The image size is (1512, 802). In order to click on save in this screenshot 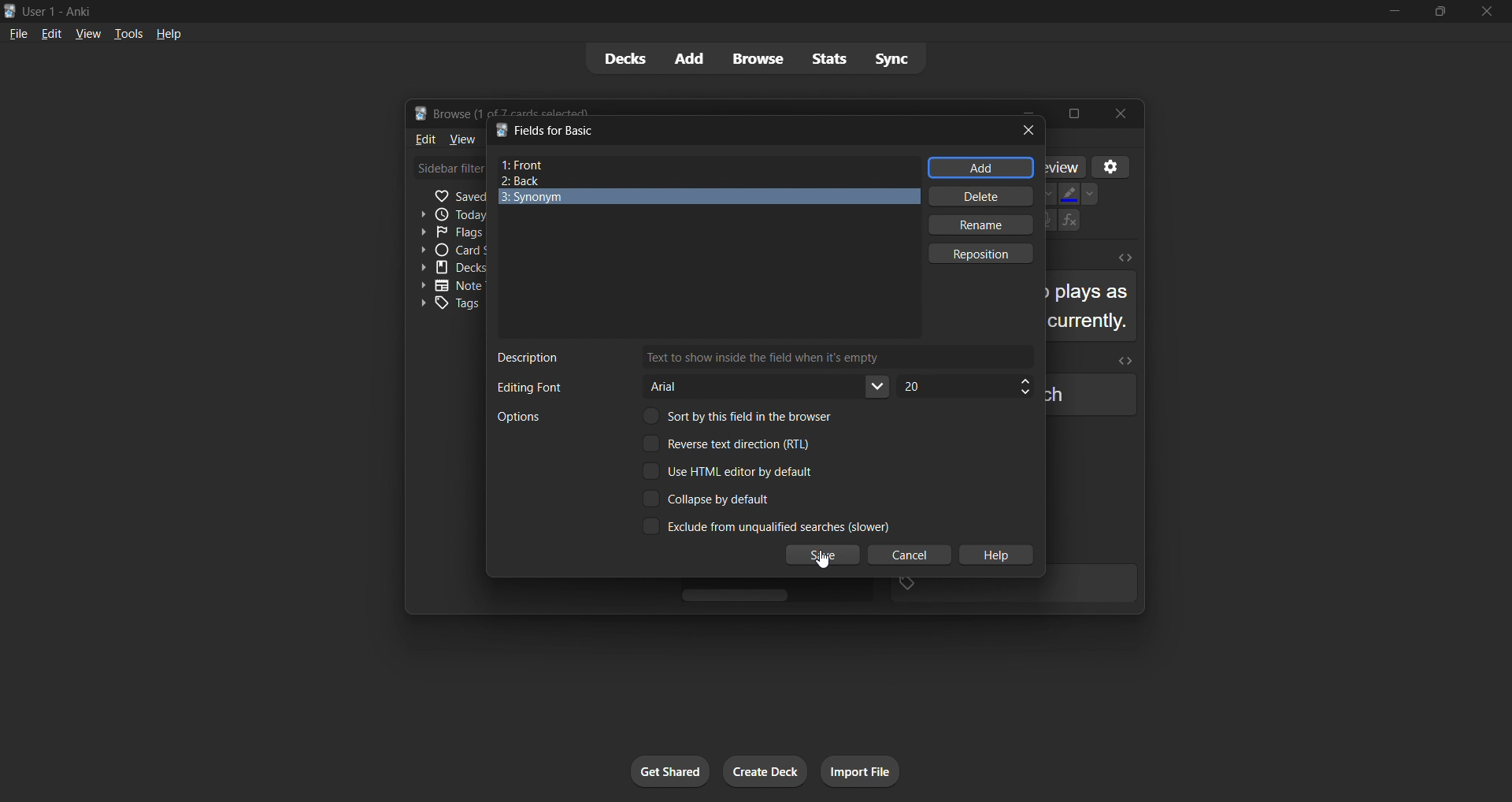, I will do `click(821, 553)`.